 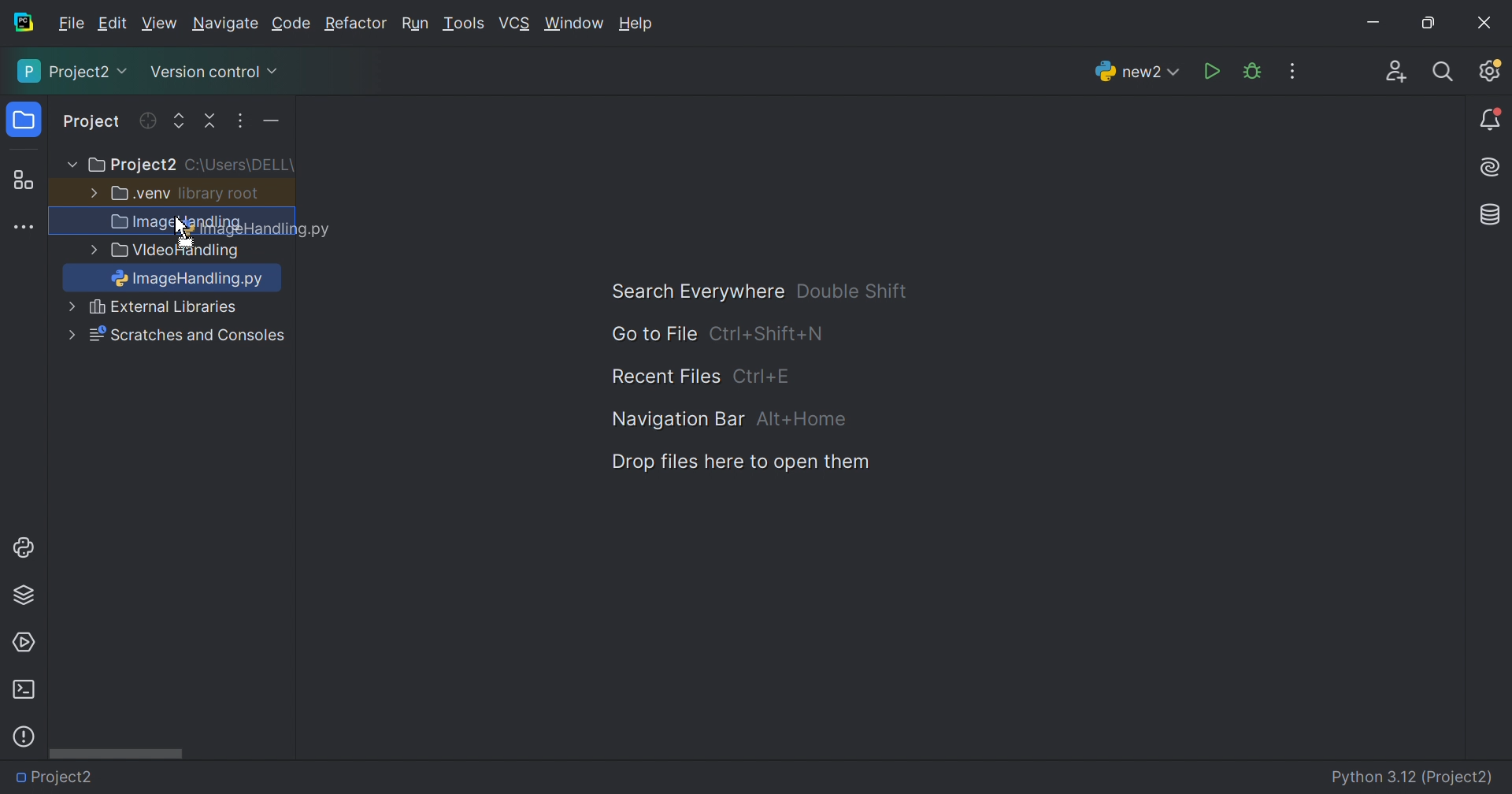 What do you see at coordinates (74, 71) in the screenshot?
I see `Project2` at bounding box center [74, 71].